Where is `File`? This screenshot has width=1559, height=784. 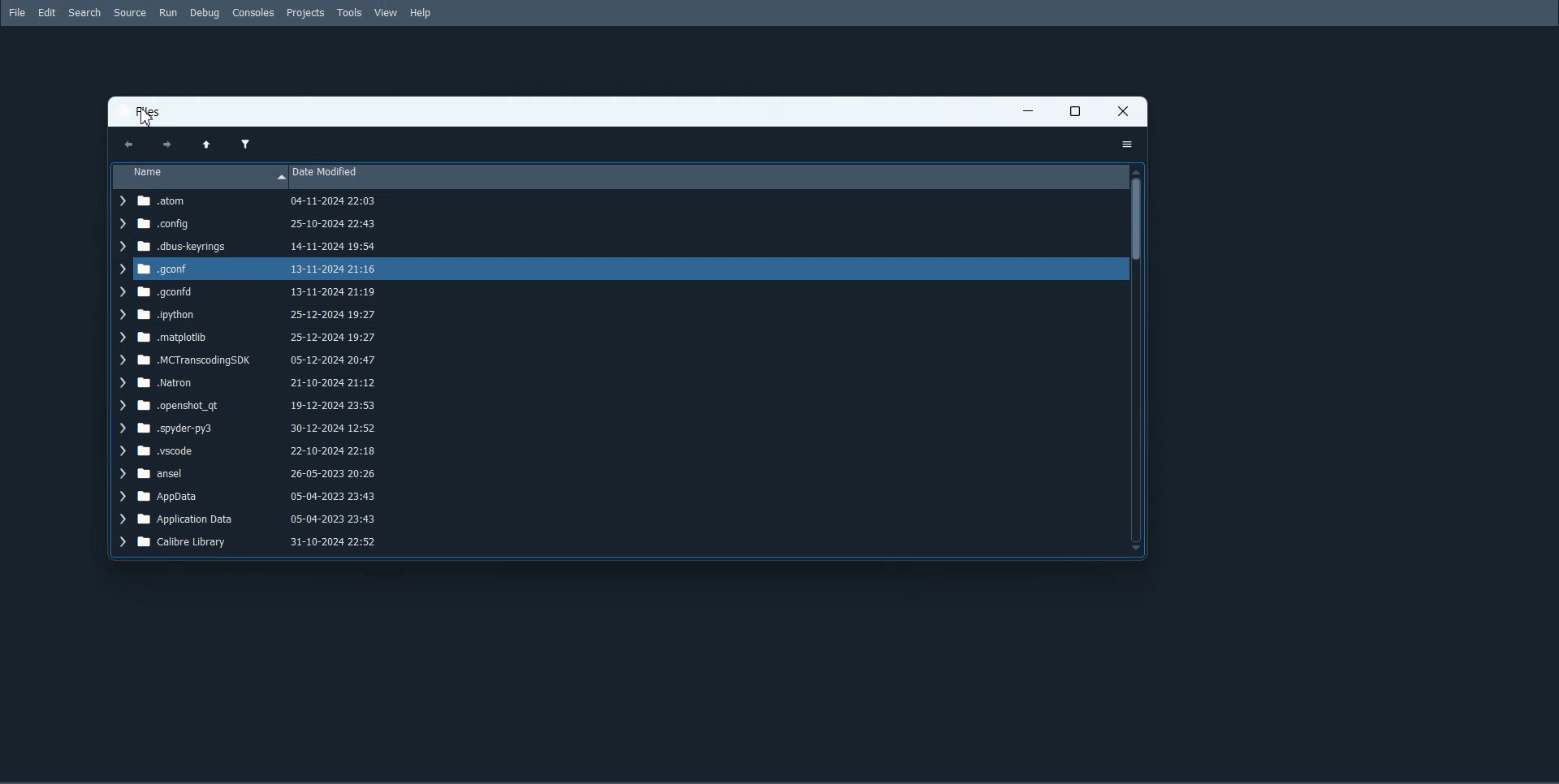
File is located at coordinates (17, 12).